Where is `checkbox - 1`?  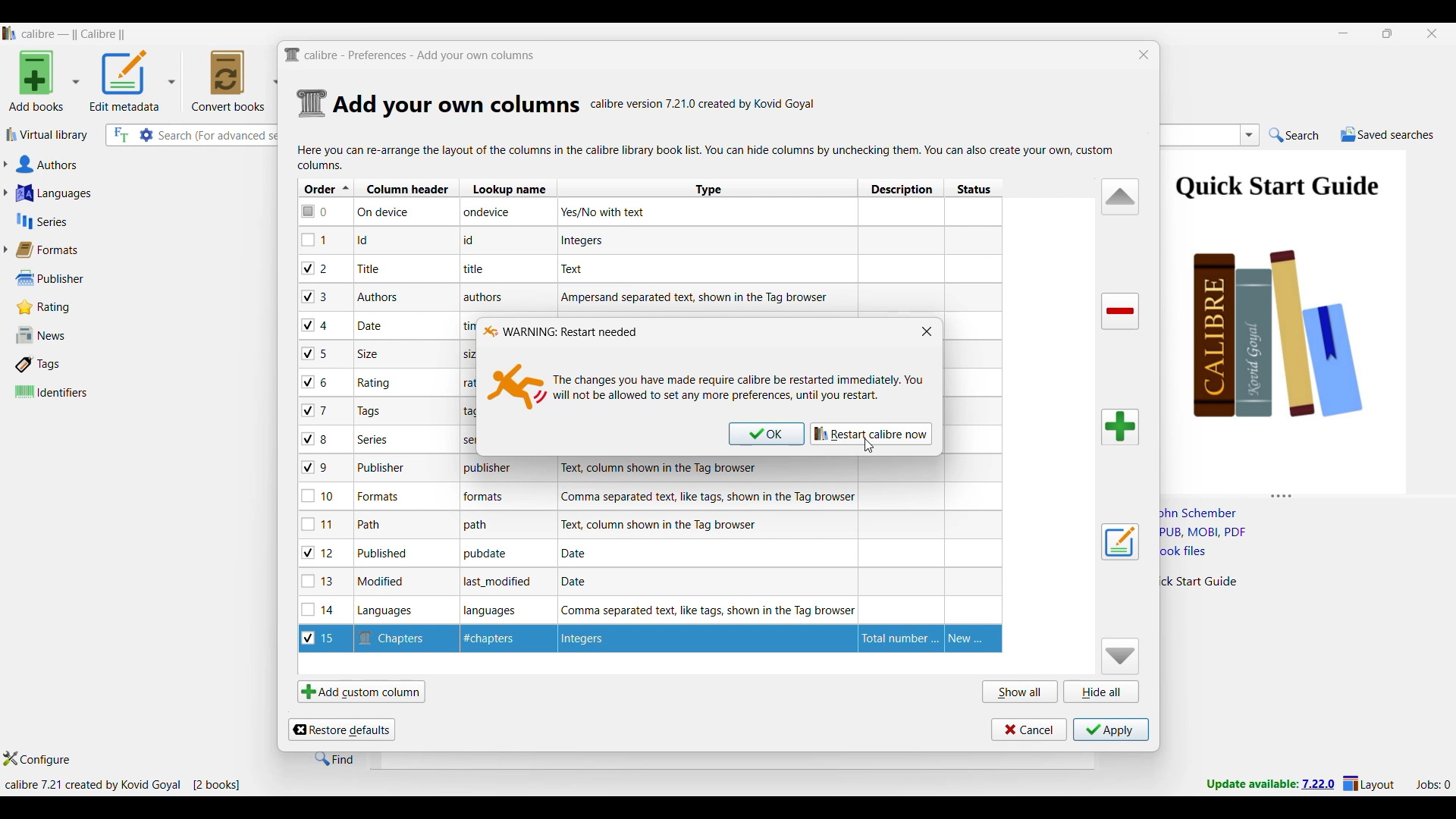 checkbox - 1 is located at coordinates (316, 240).